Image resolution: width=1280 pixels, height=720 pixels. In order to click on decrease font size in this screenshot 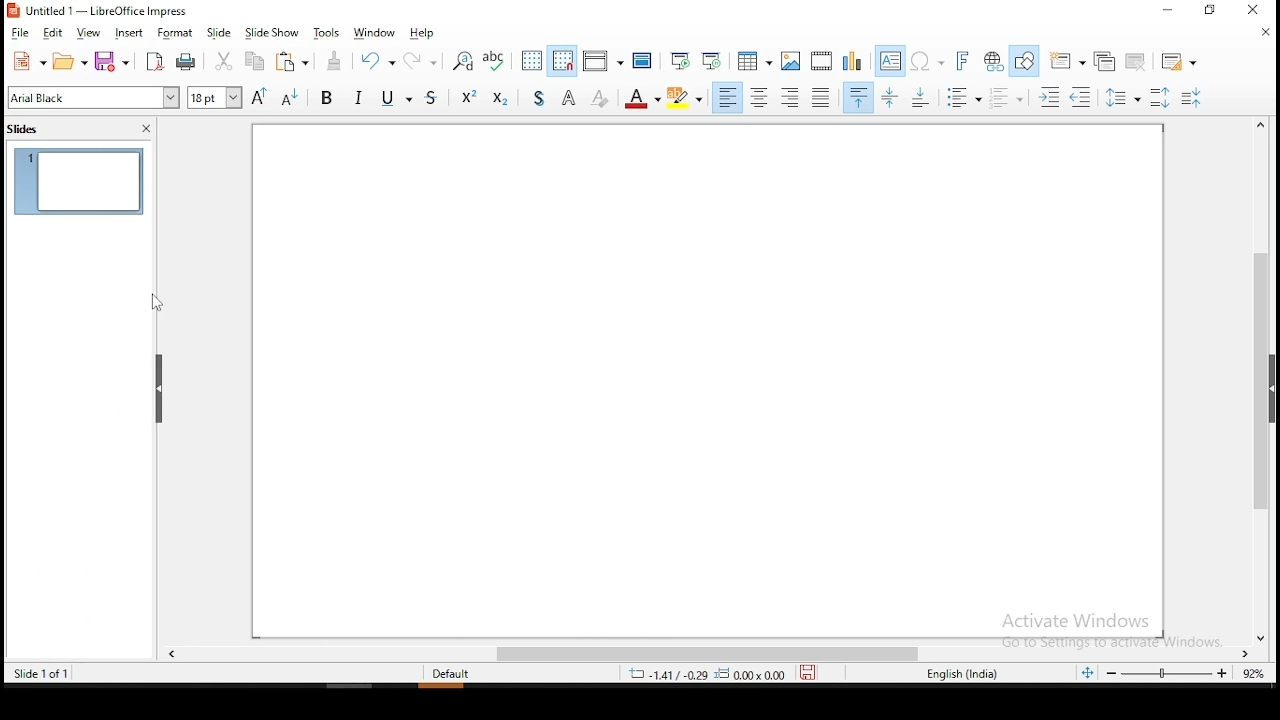, I will do `click(288, 98)`.